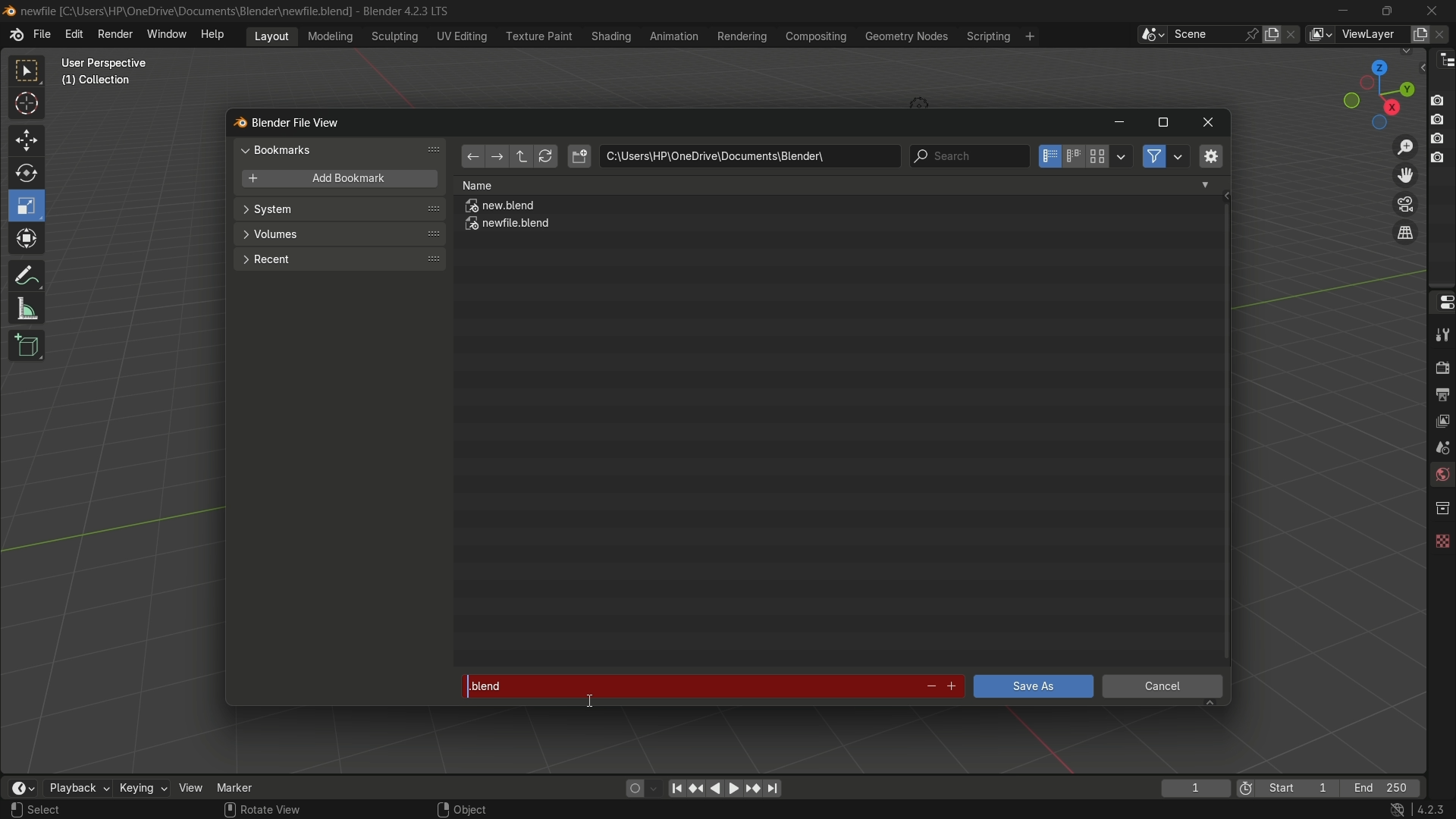 The height and width of the screenshot is (819, 1456). Describe the element at coordinates (1209, 123) in the screenshot. I see `close window` at that location.